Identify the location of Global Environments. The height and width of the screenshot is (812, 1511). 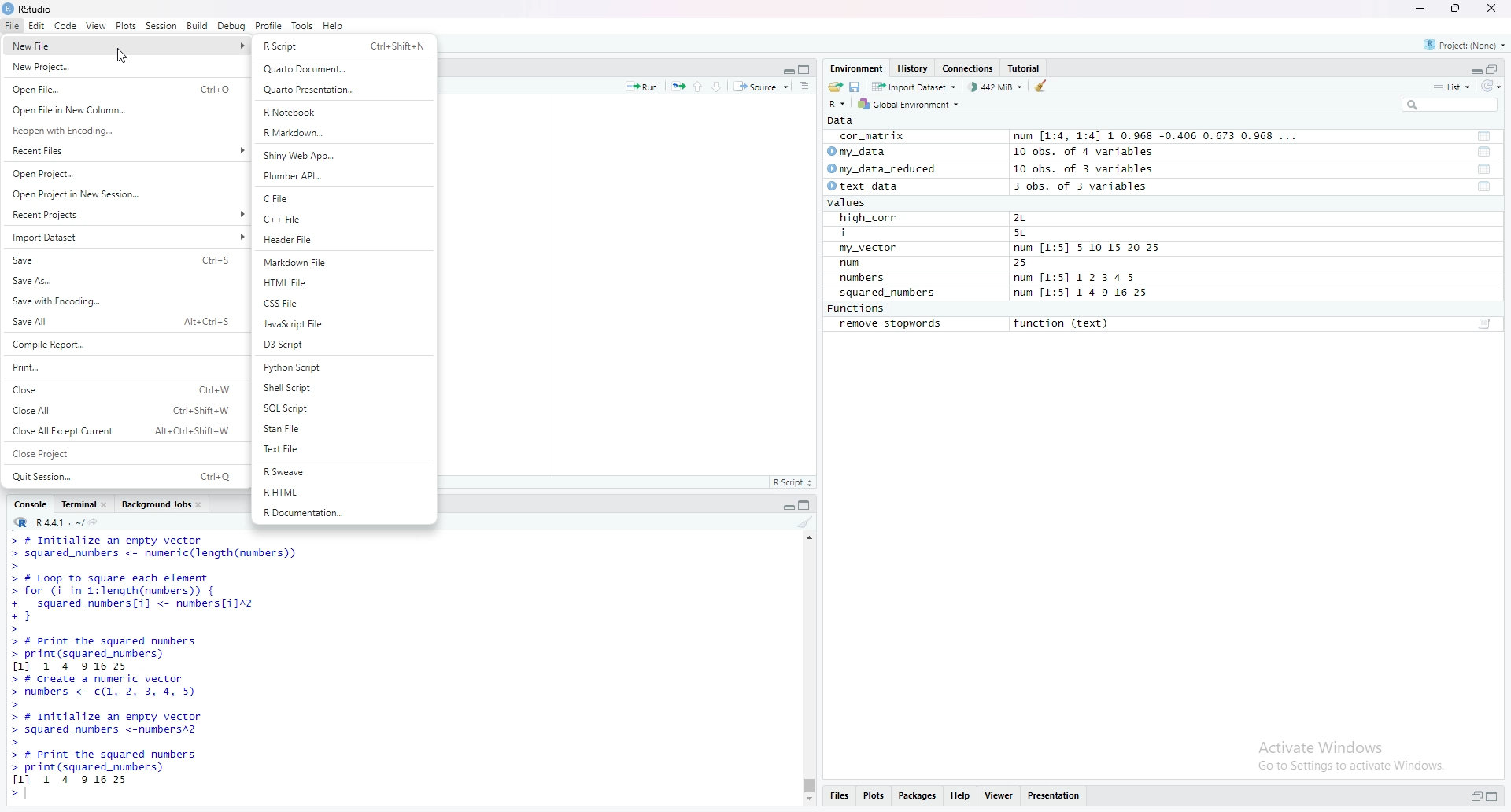
(907, 105).